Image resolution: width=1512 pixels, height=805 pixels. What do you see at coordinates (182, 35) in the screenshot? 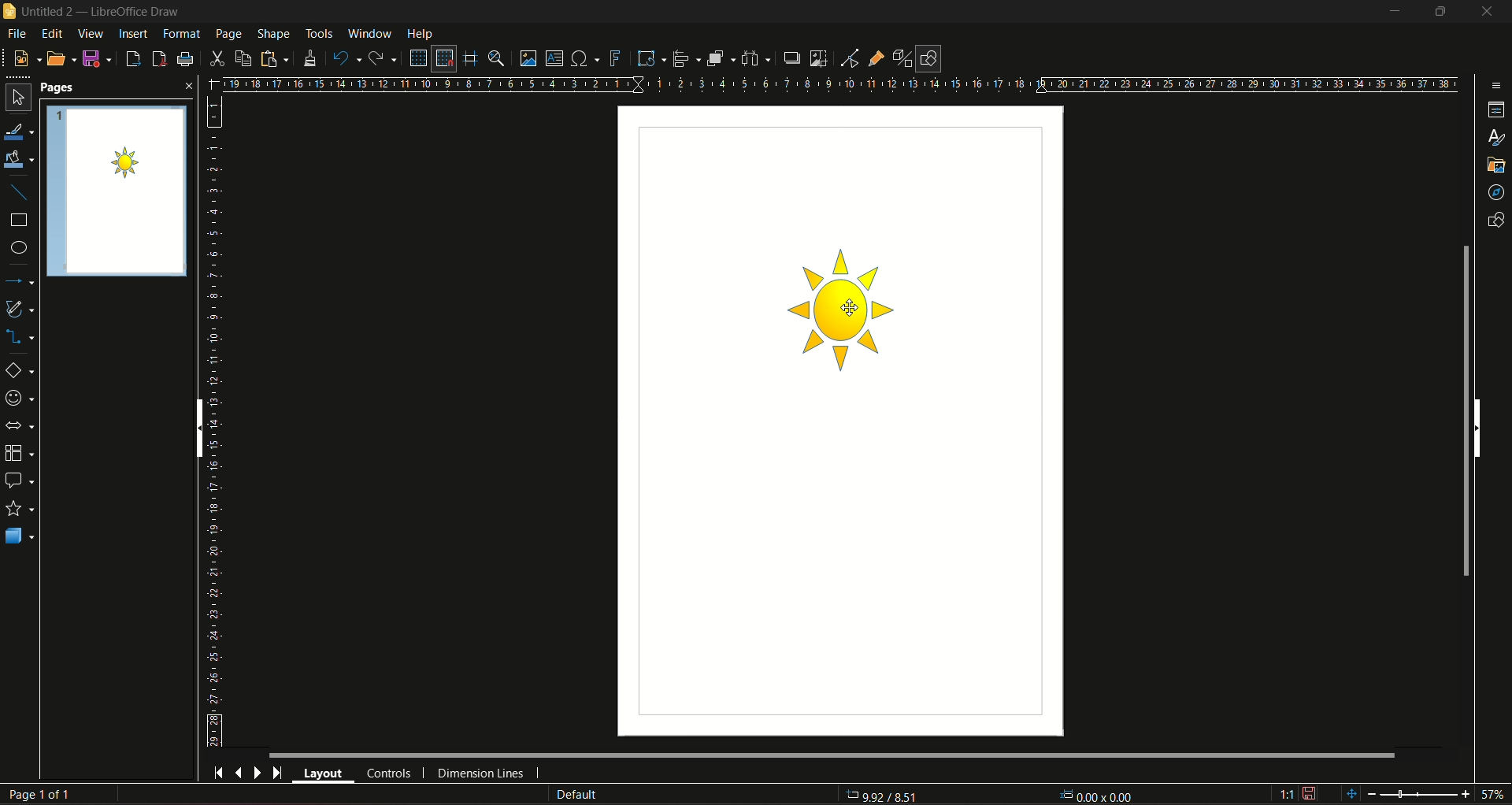
I see `format` at bounding box center [182, 35].